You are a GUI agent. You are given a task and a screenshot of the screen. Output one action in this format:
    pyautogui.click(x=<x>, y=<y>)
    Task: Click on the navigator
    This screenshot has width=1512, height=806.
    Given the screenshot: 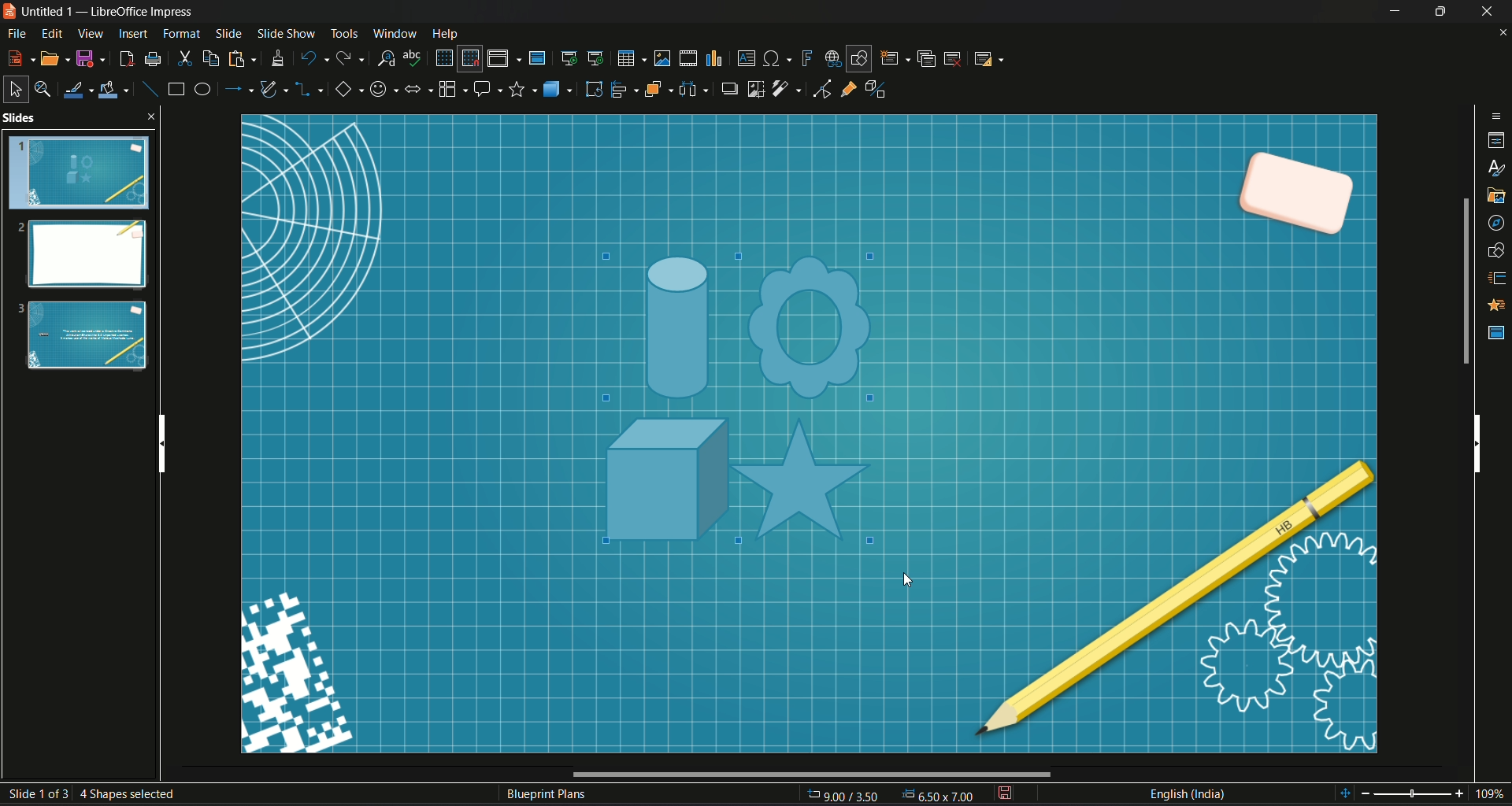 What is the action you would take?
    pyautogui.click(x=1496, y=225)
    